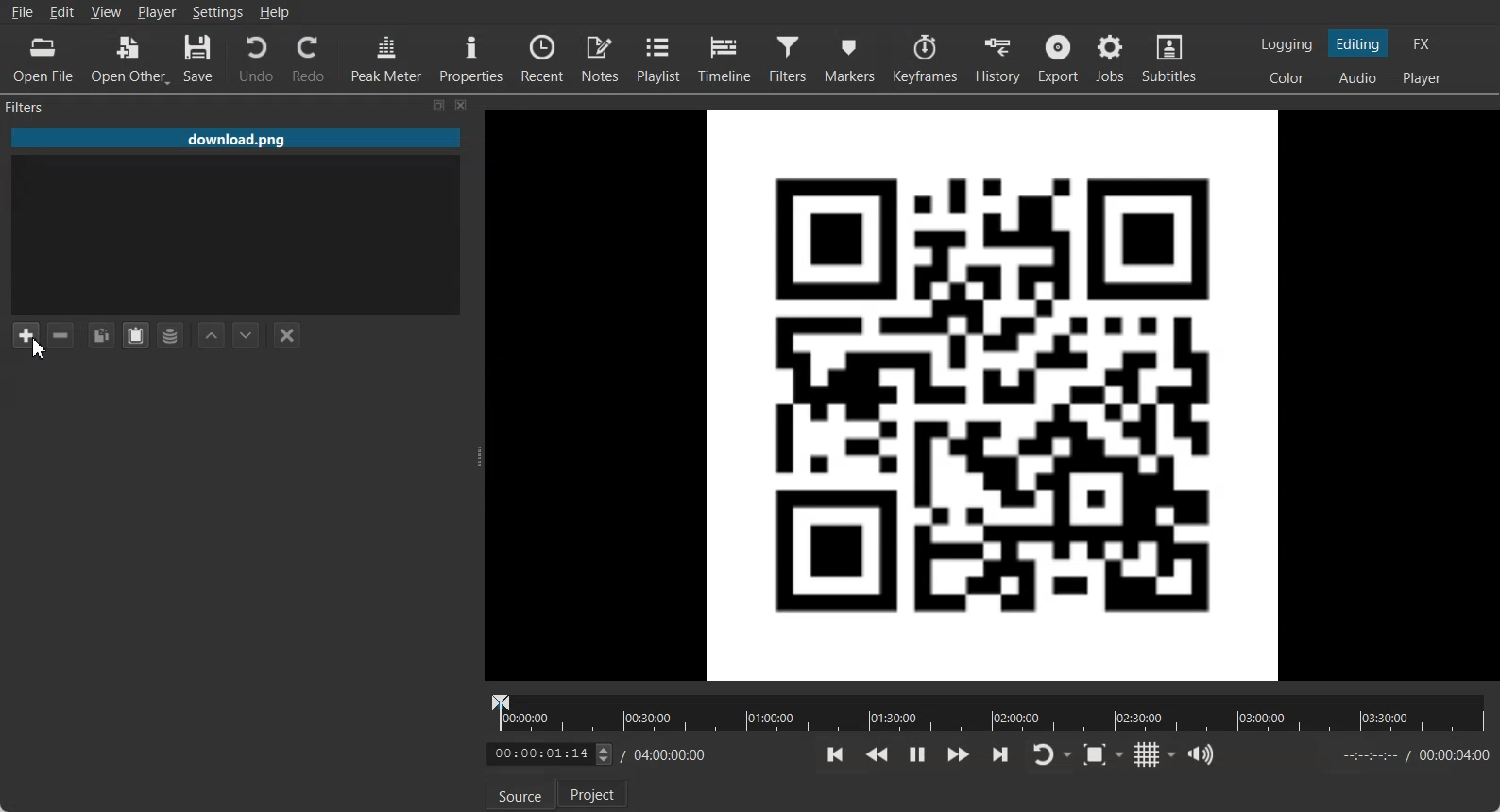  I want to click on Select a clip, so click(236, 236).